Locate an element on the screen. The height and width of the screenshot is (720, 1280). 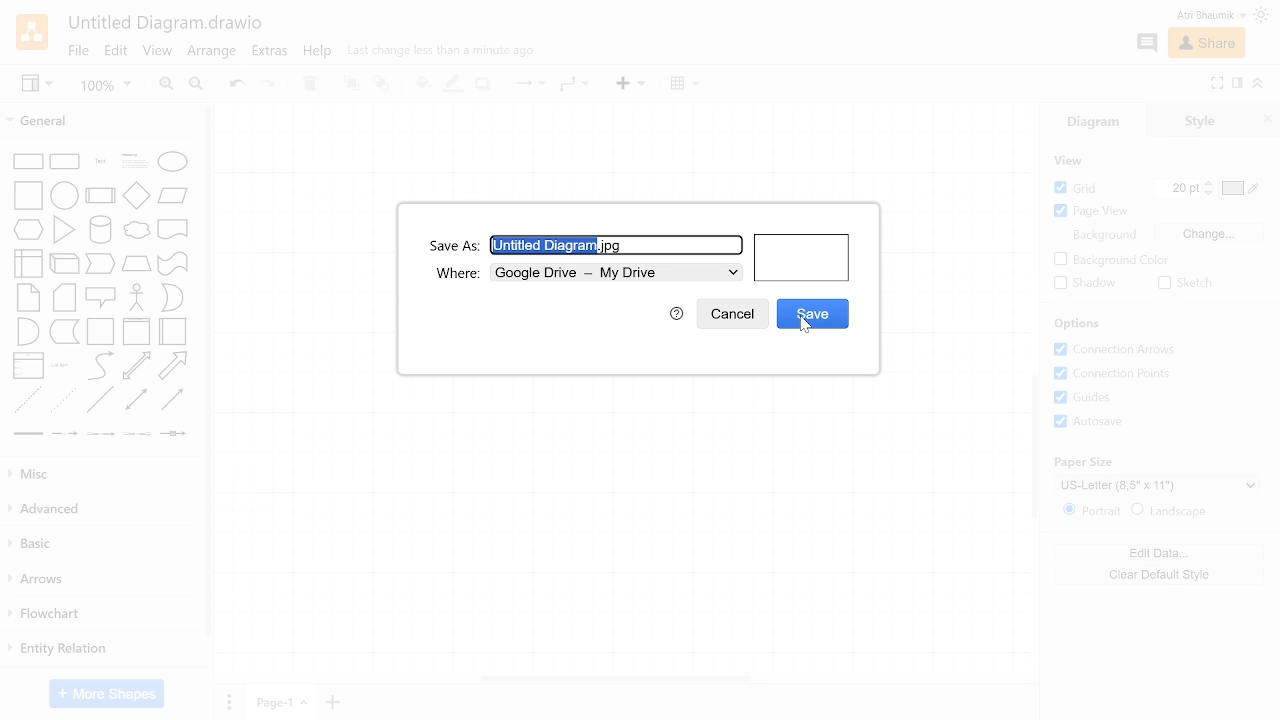
Undo is located at coordinates (236, 86).